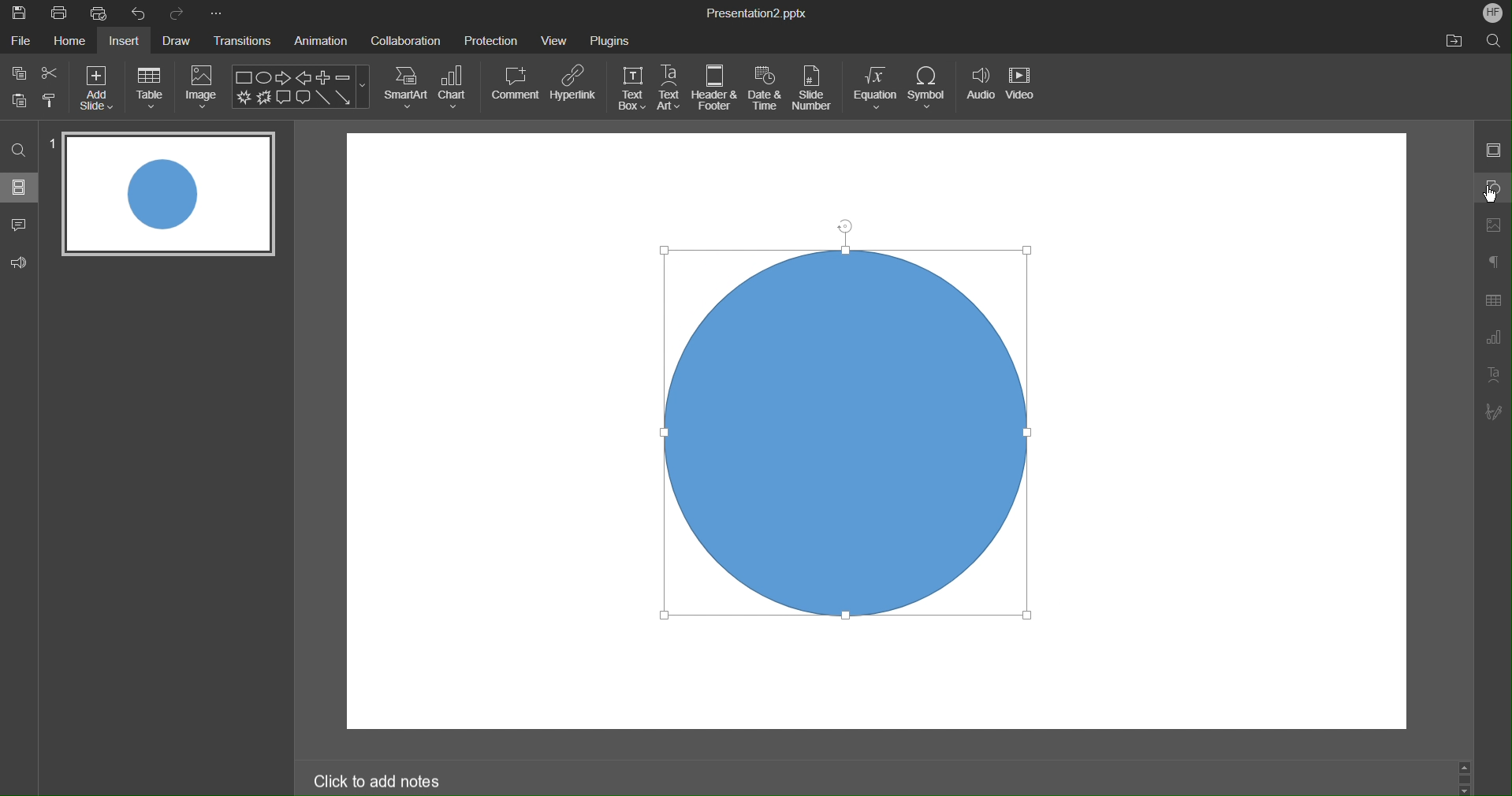  I want to click on Shape Menu, so click(300, 87).